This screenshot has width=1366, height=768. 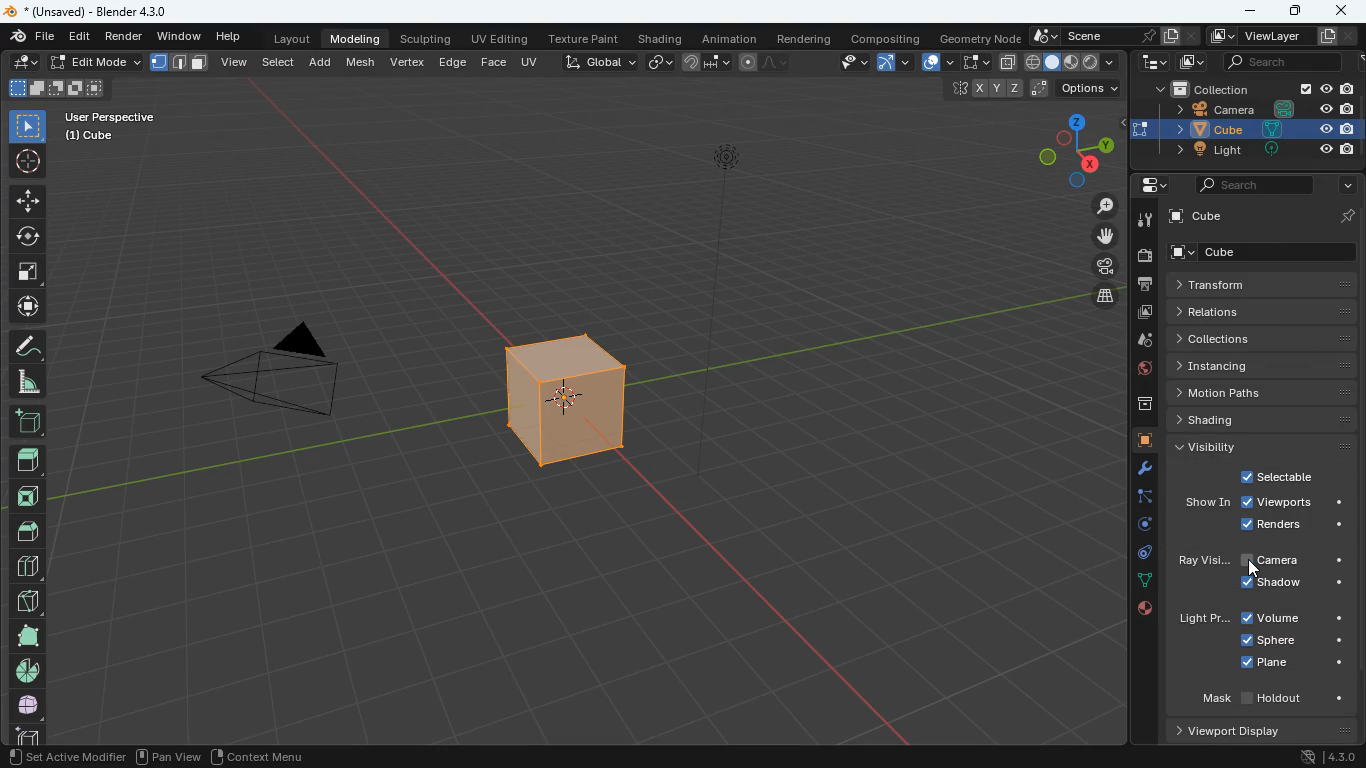 What do you see at coordinates (228, 37) in the screenshot?
I see `help` at bounding box center [228, 37].